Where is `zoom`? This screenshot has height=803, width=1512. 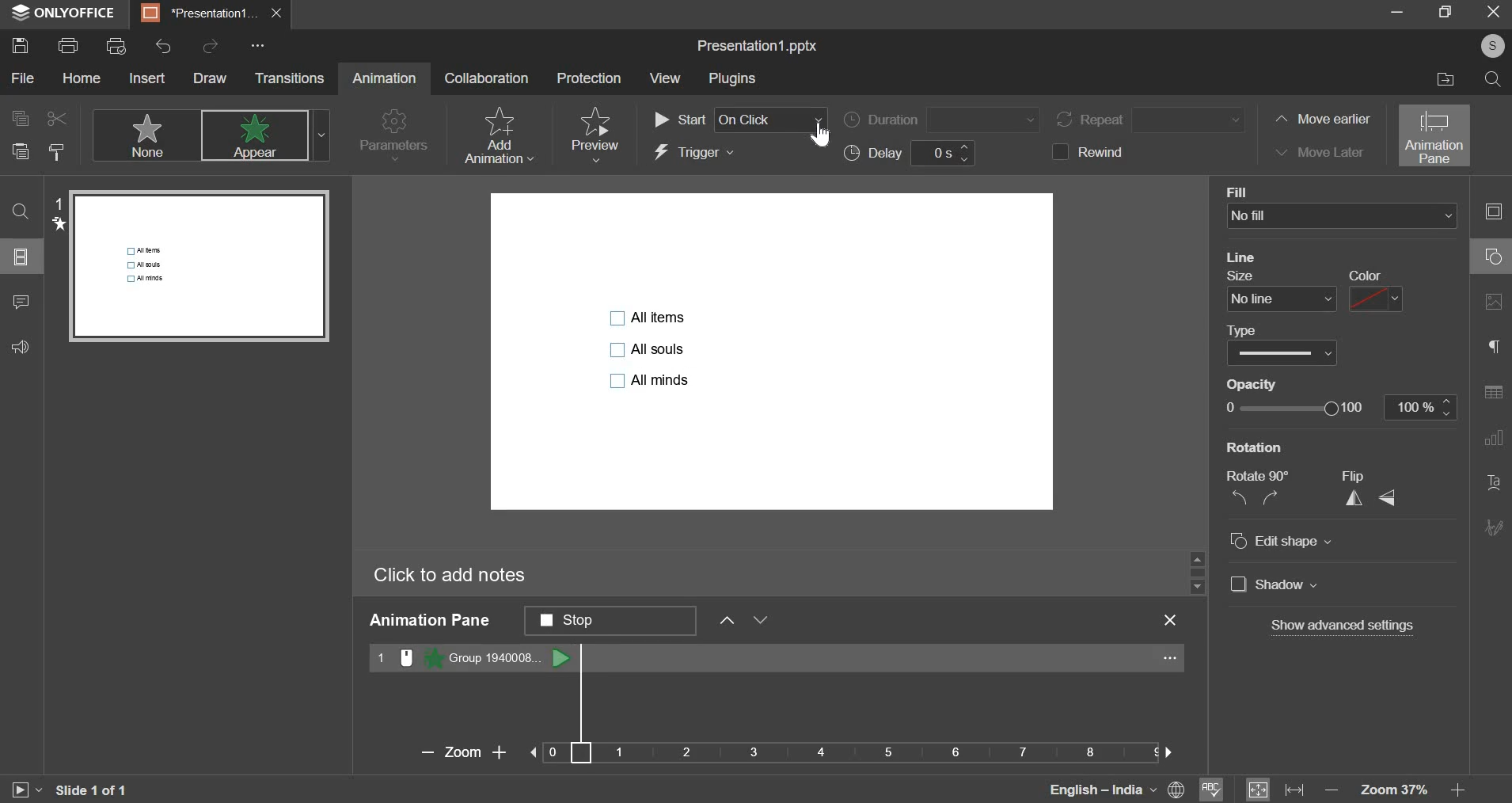 zoom is located at coordinates (785, 752).